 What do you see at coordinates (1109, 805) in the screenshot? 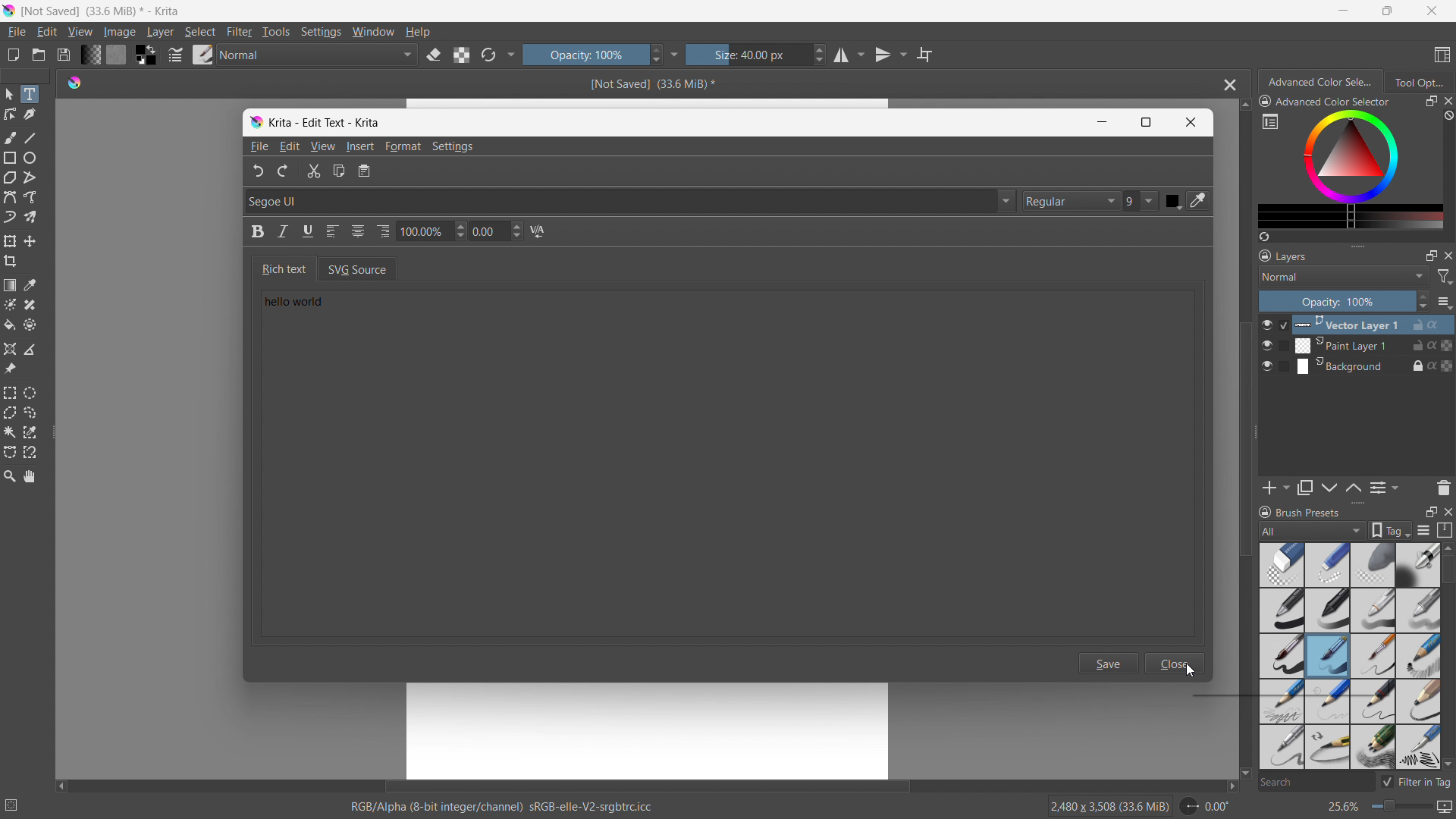
I see `2480 X 3508 (33.5 MiB)` at bounding box center [1109, 805].